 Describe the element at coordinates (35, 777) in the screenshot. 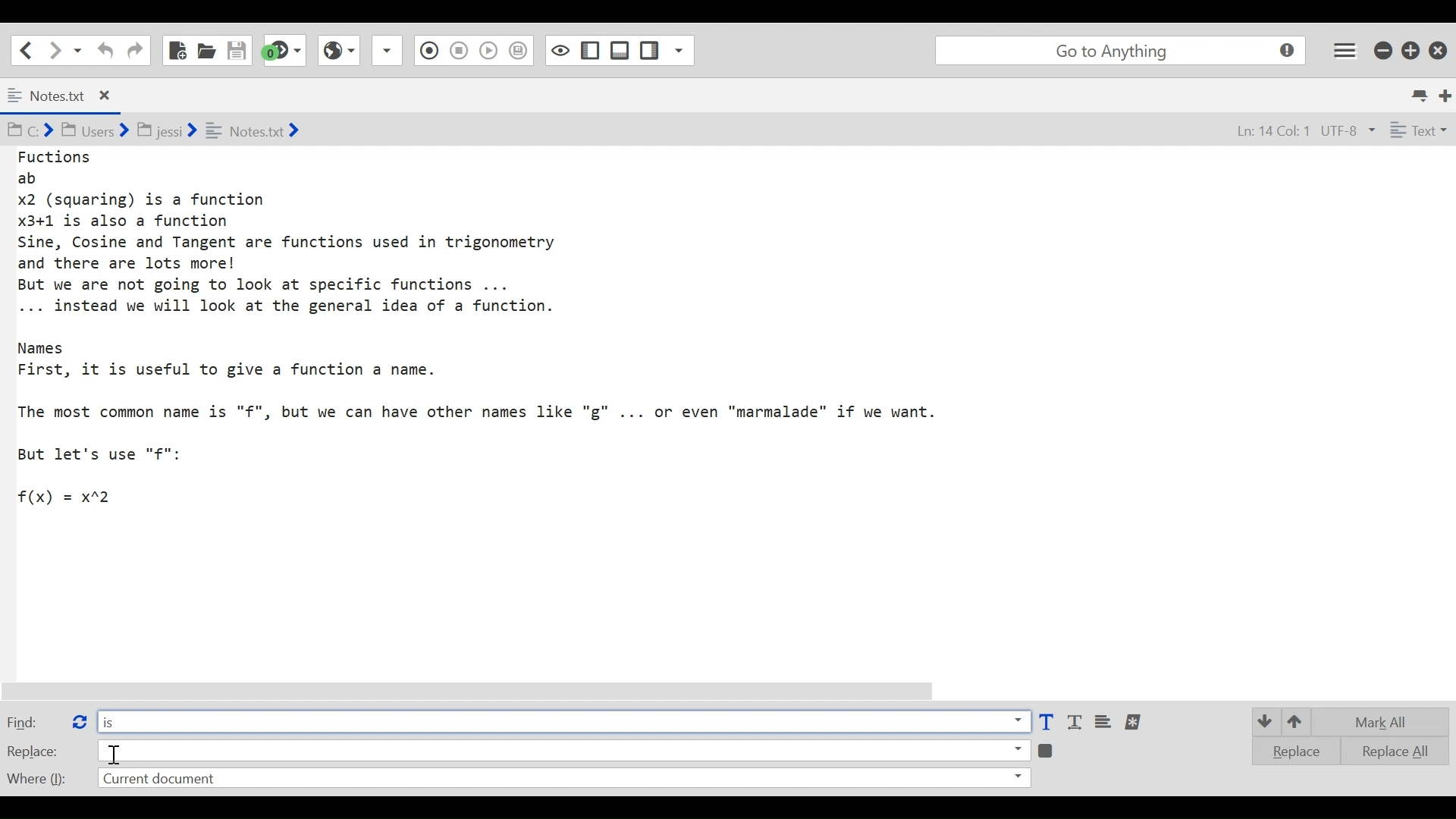

I see `Where` at that location.